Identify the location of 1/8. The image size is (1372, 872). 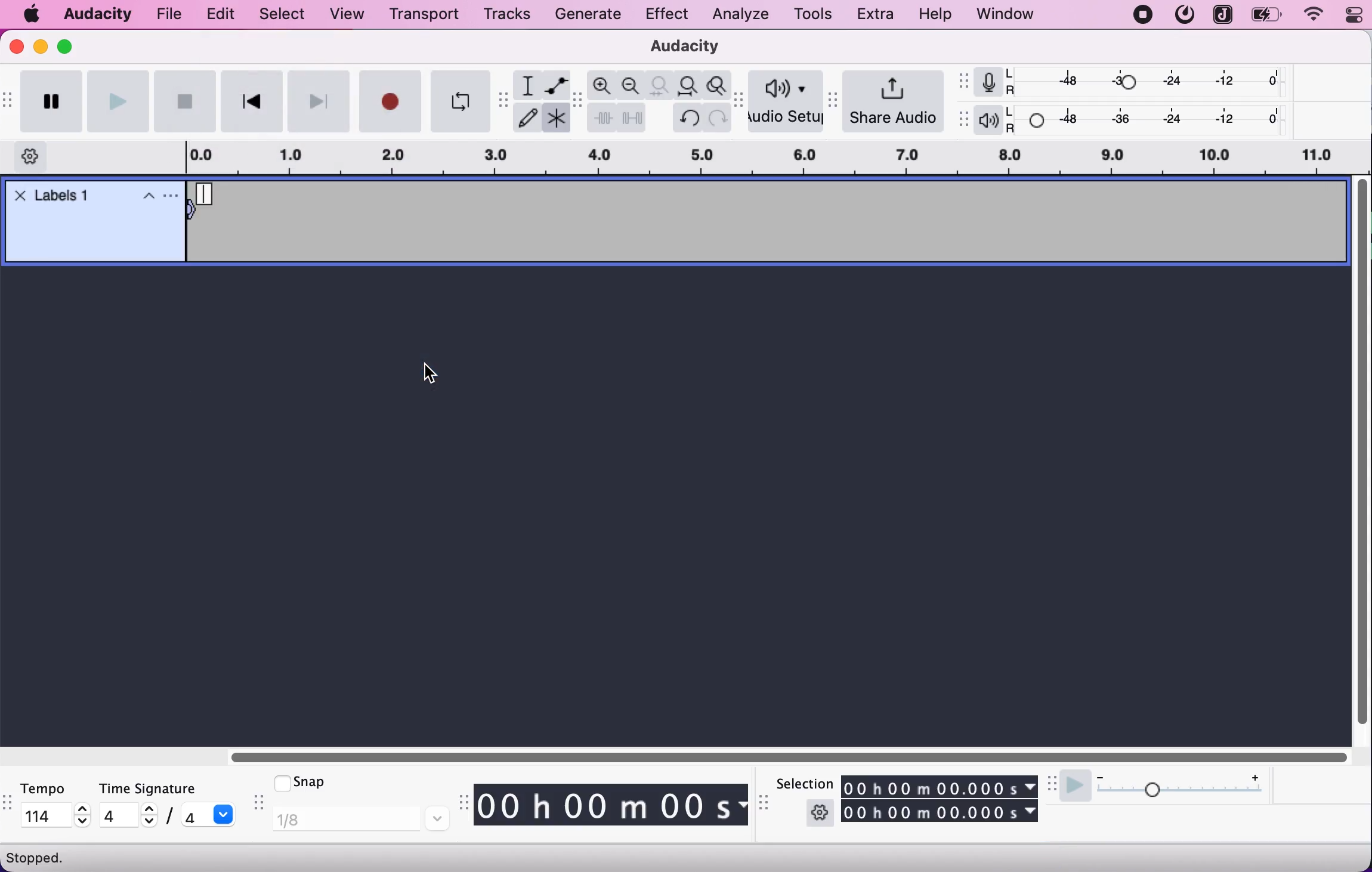
(360, 820).